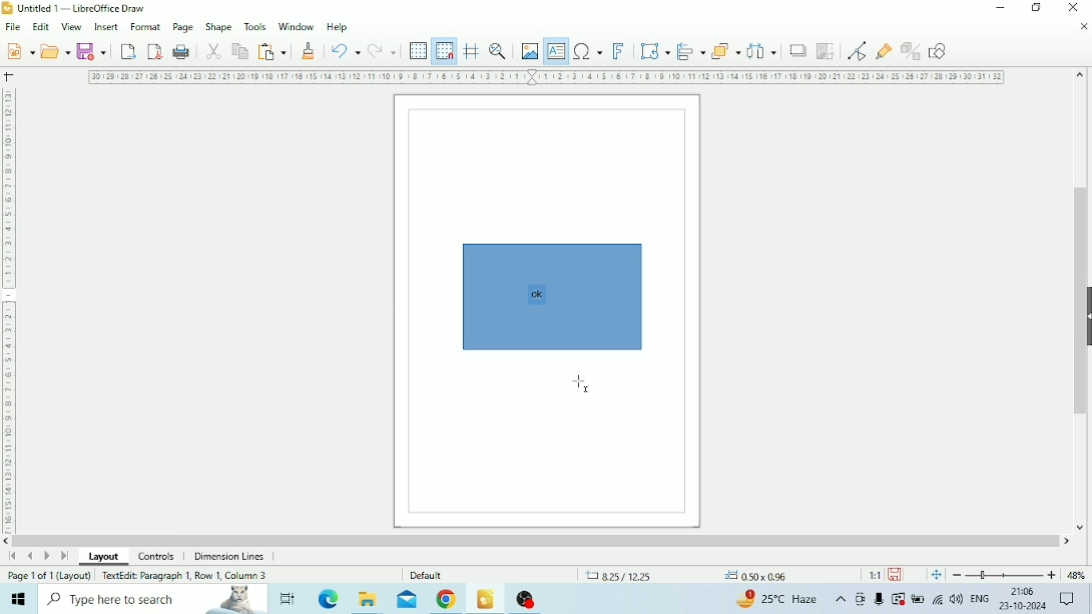 This screenshot has height=614, width=1092. What do you see at coordinates (940, 52) in the screenshot?
I see `Show Draw Functions` at bounding box center [940, 52].